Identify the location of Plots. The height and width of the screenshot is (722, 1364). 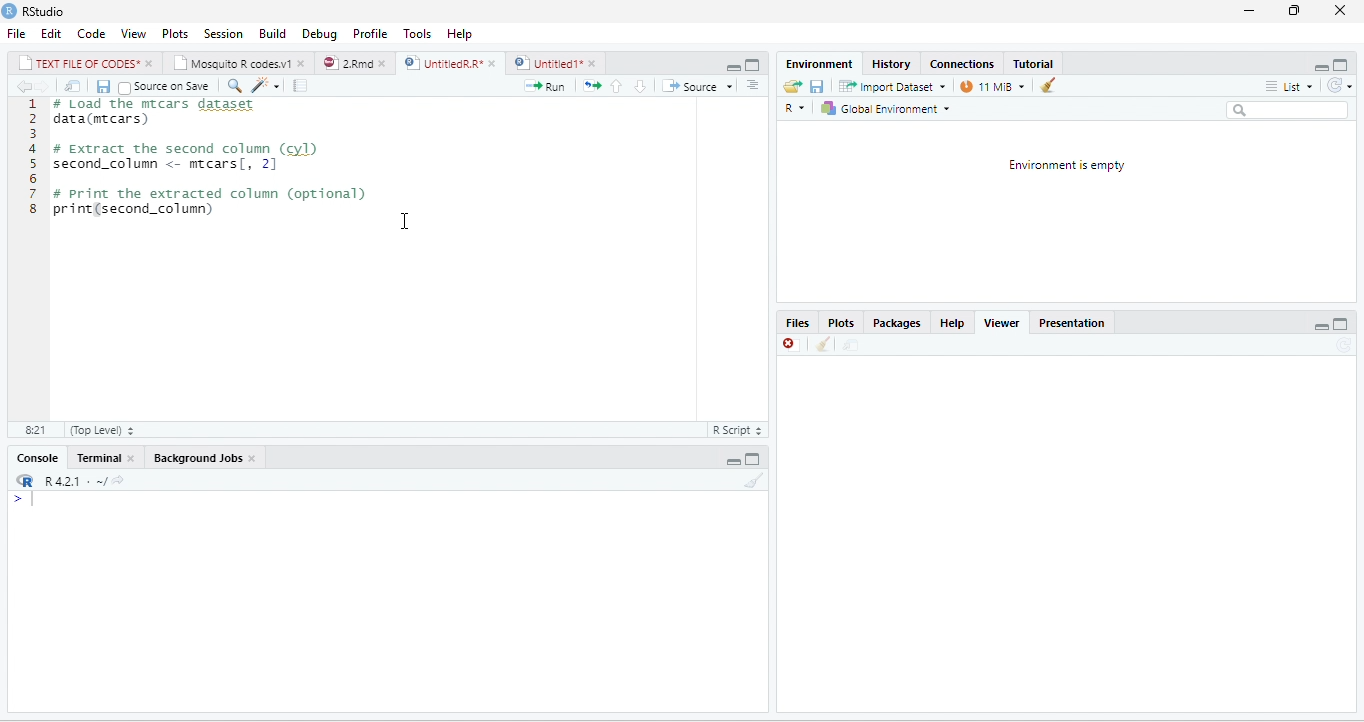
(175, 32).